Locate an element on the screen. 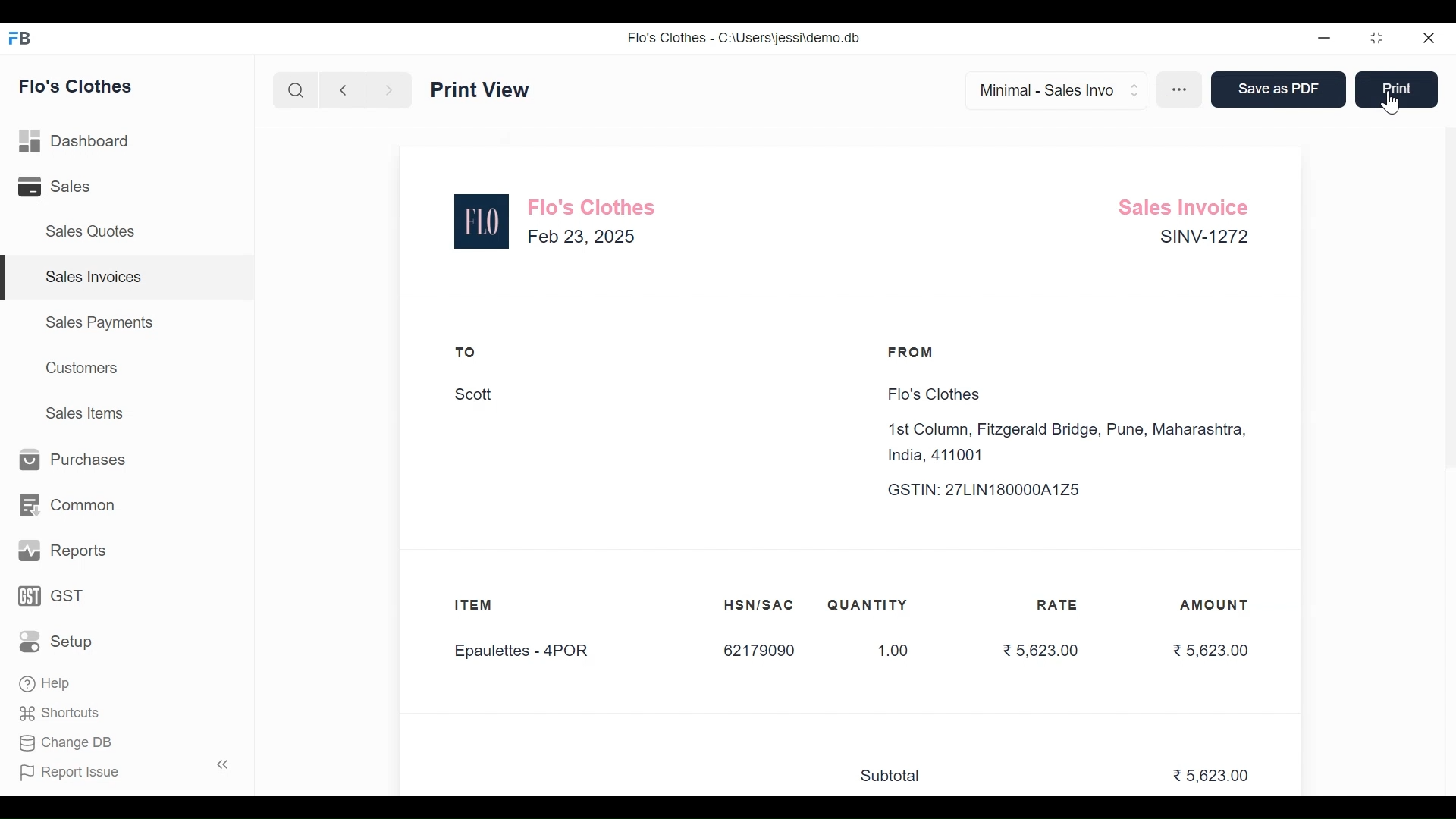 This screenshot has width=1456, height=819. Common is located at coordinates (68, 504).